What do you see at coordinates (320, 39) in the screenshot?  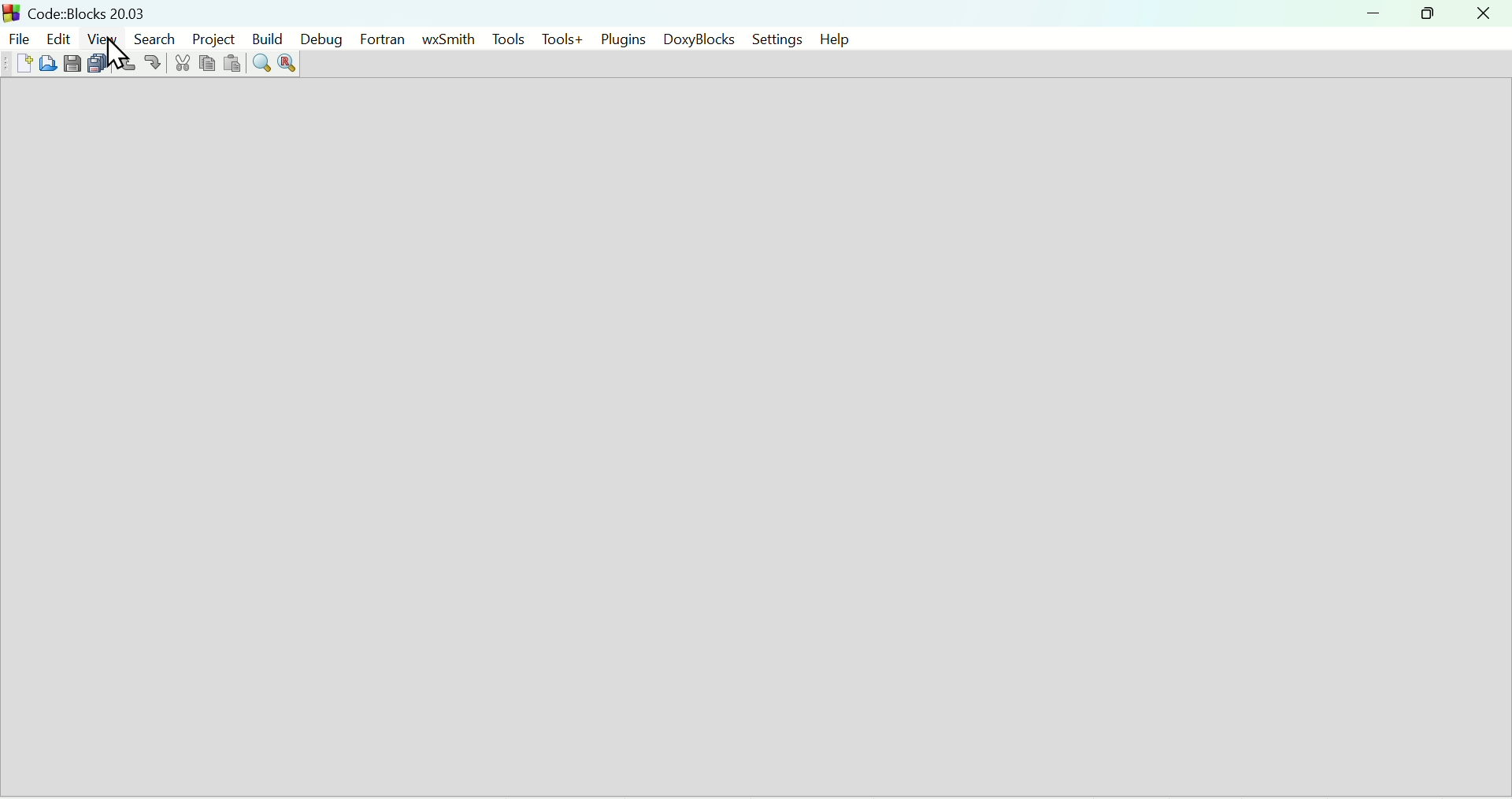 I see `Debug` at bounding box center [320, 39].